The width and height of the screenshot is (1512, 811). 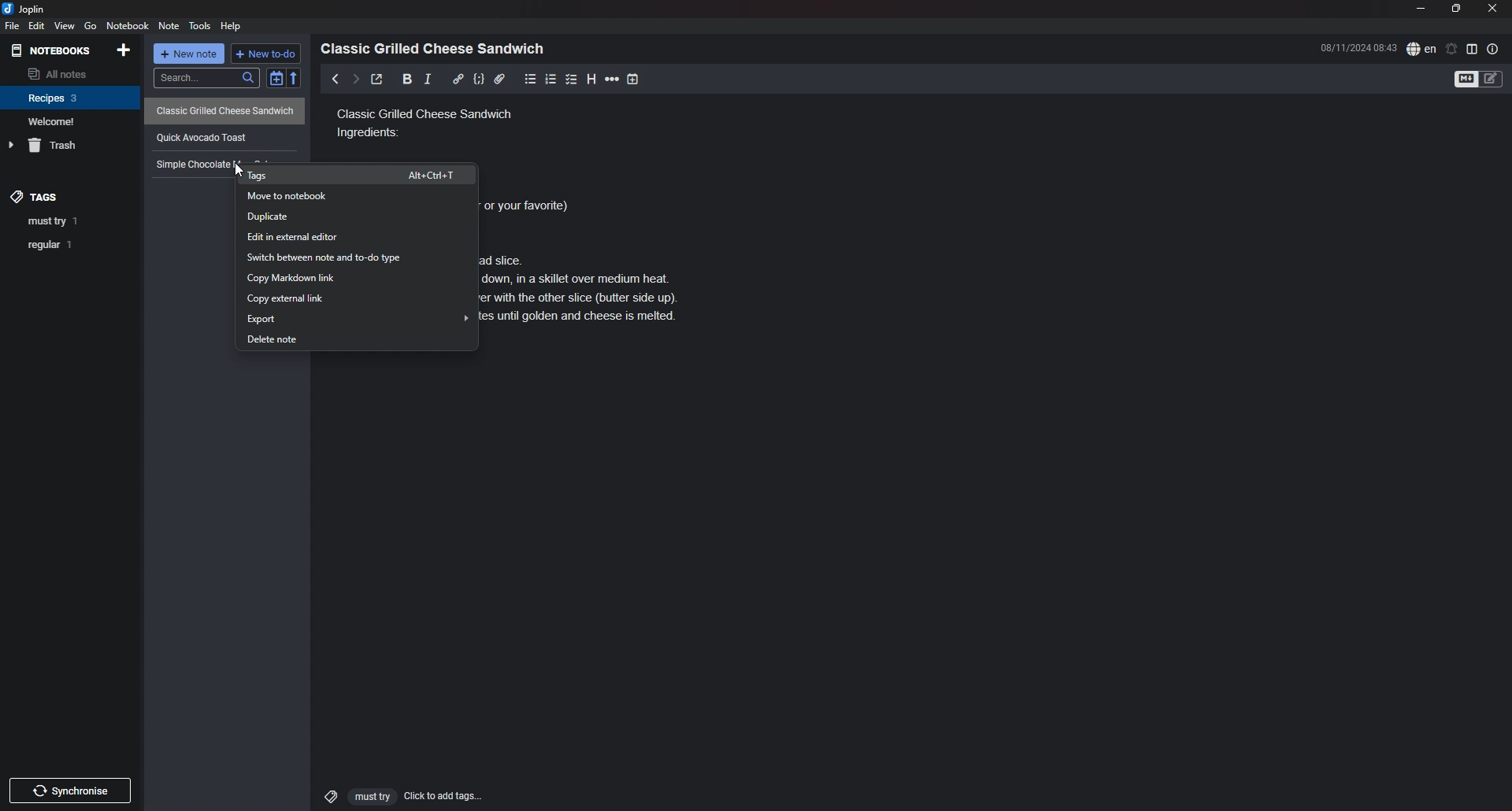 What do you see at coordinates (499, 79) in the screenshot?
I see `attachment` at bounding box center [499, 79].